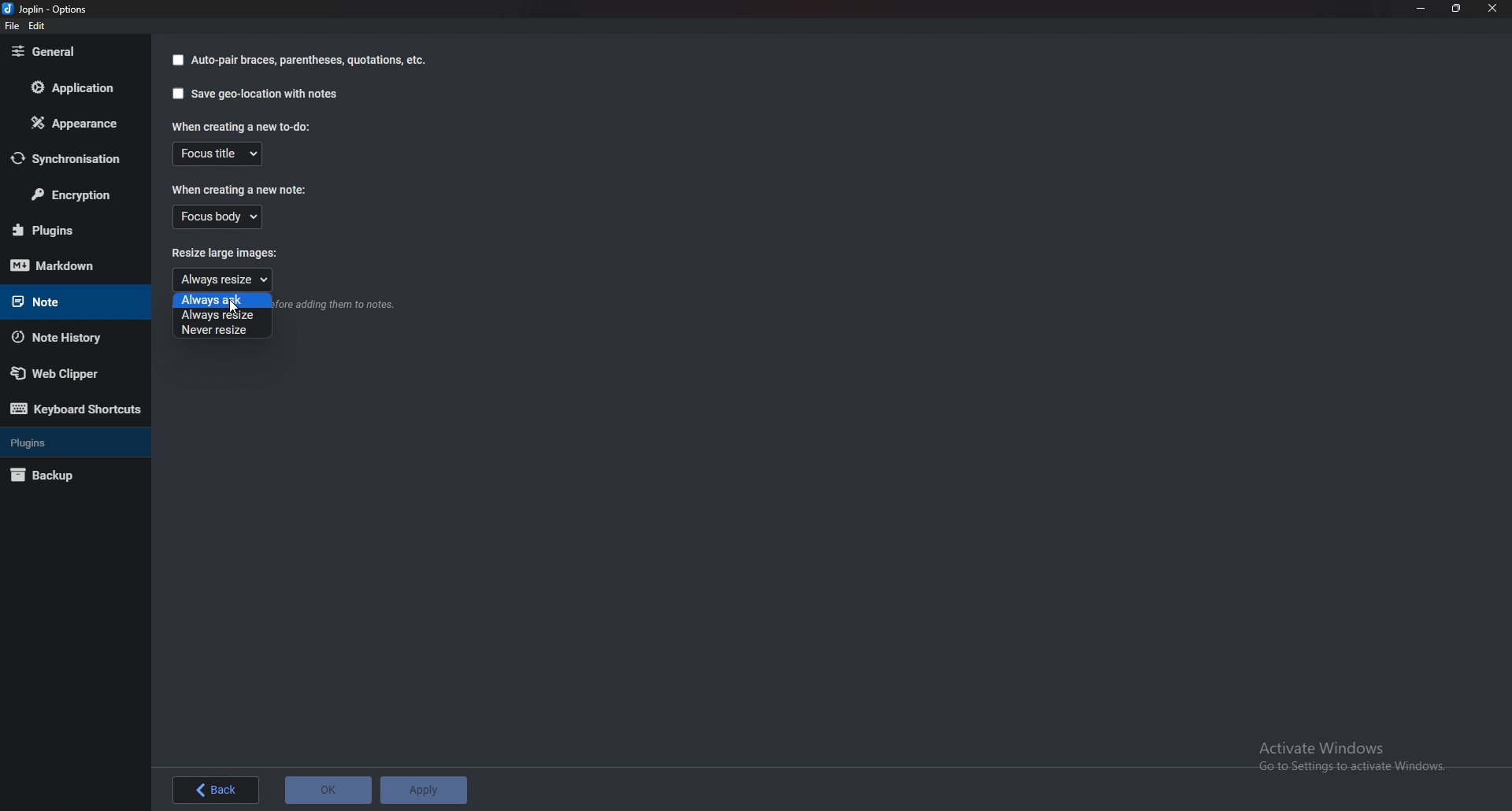 This screenshot has width=1512, height=811. What do you see at coordinates (238, 191) in the screenshot?
I see `When creating a new note` at bounding box center [238, 191].